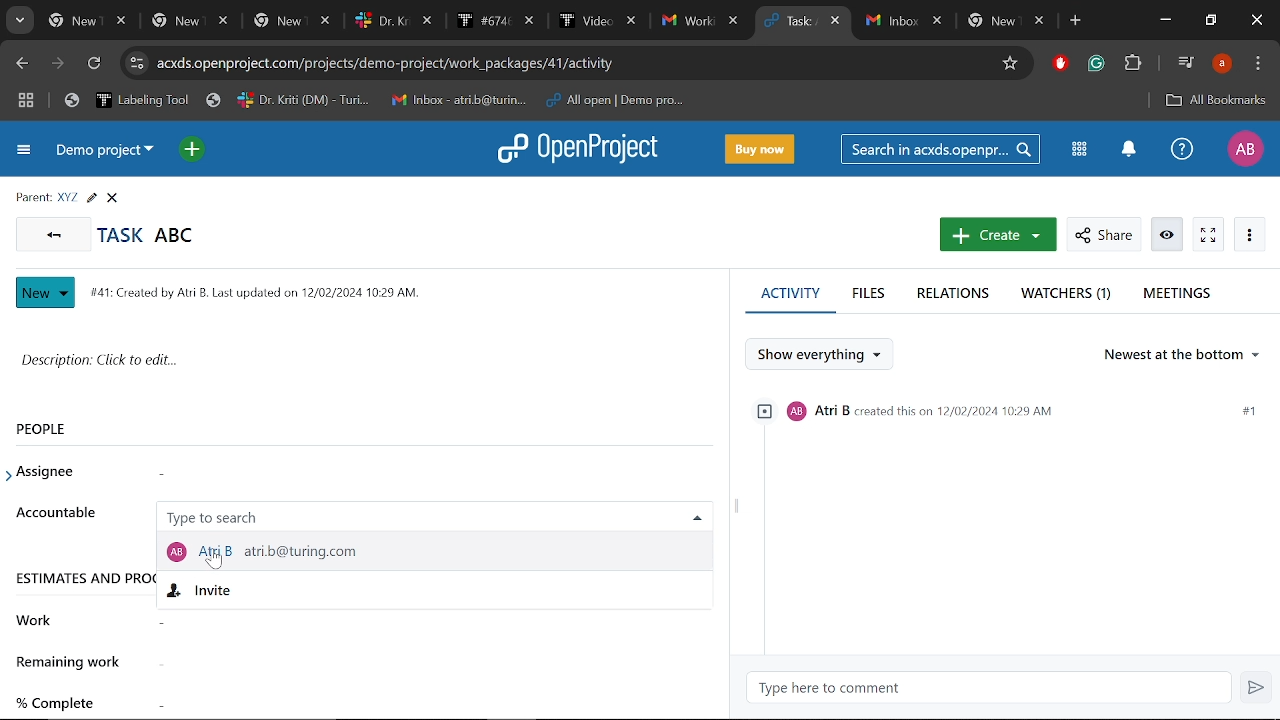 The height and width of the screenshot is (720, 1280). I want to click on Activate zen mode, so click(1209, 234).